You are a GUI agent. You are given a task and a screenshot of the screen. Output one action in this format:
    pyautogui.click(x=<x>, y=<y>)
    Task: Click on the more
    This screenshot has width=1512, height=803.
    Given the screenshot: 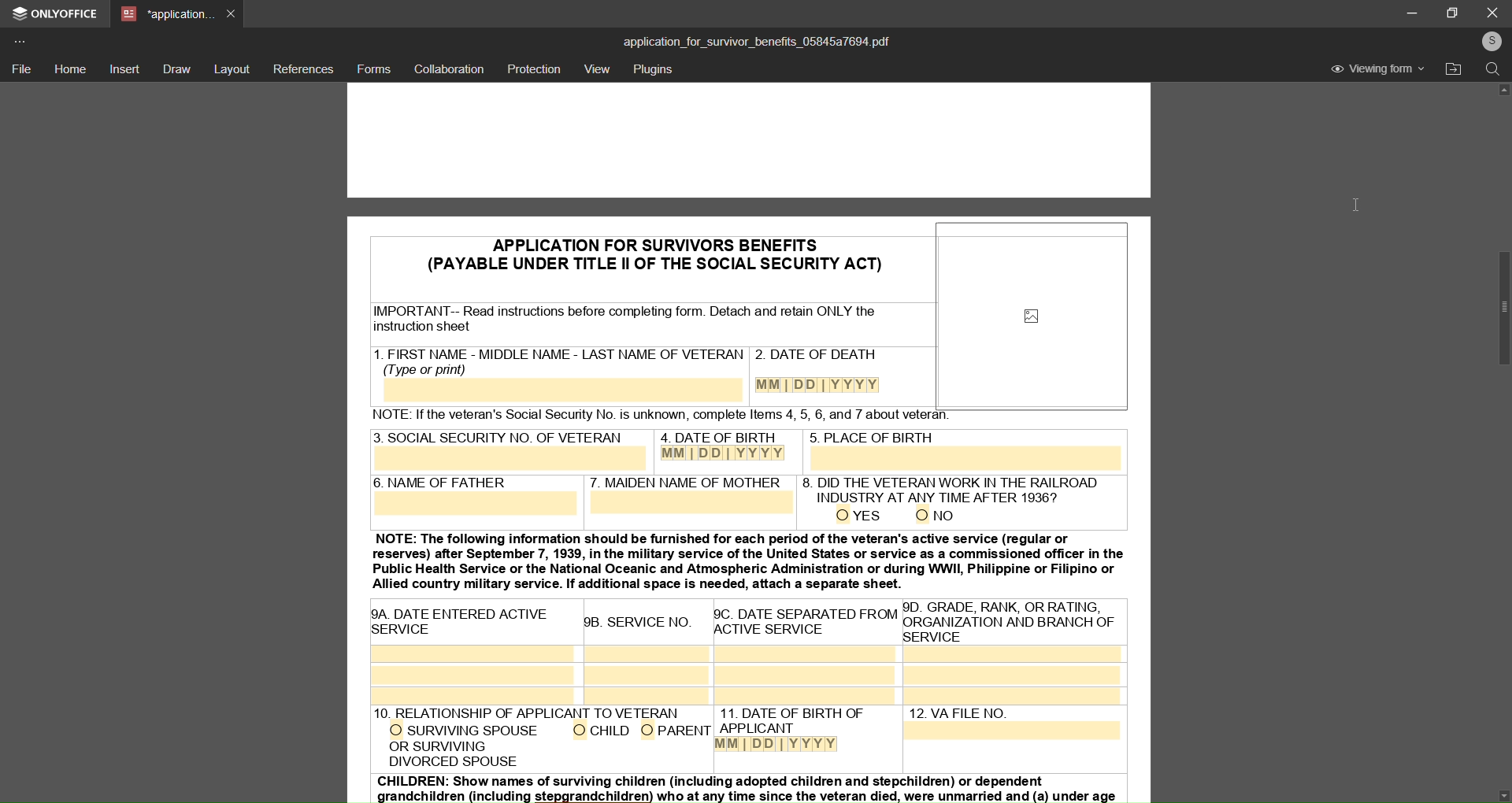 What is the action you would take?
    pyautogui.click(x=23, y=40)
    